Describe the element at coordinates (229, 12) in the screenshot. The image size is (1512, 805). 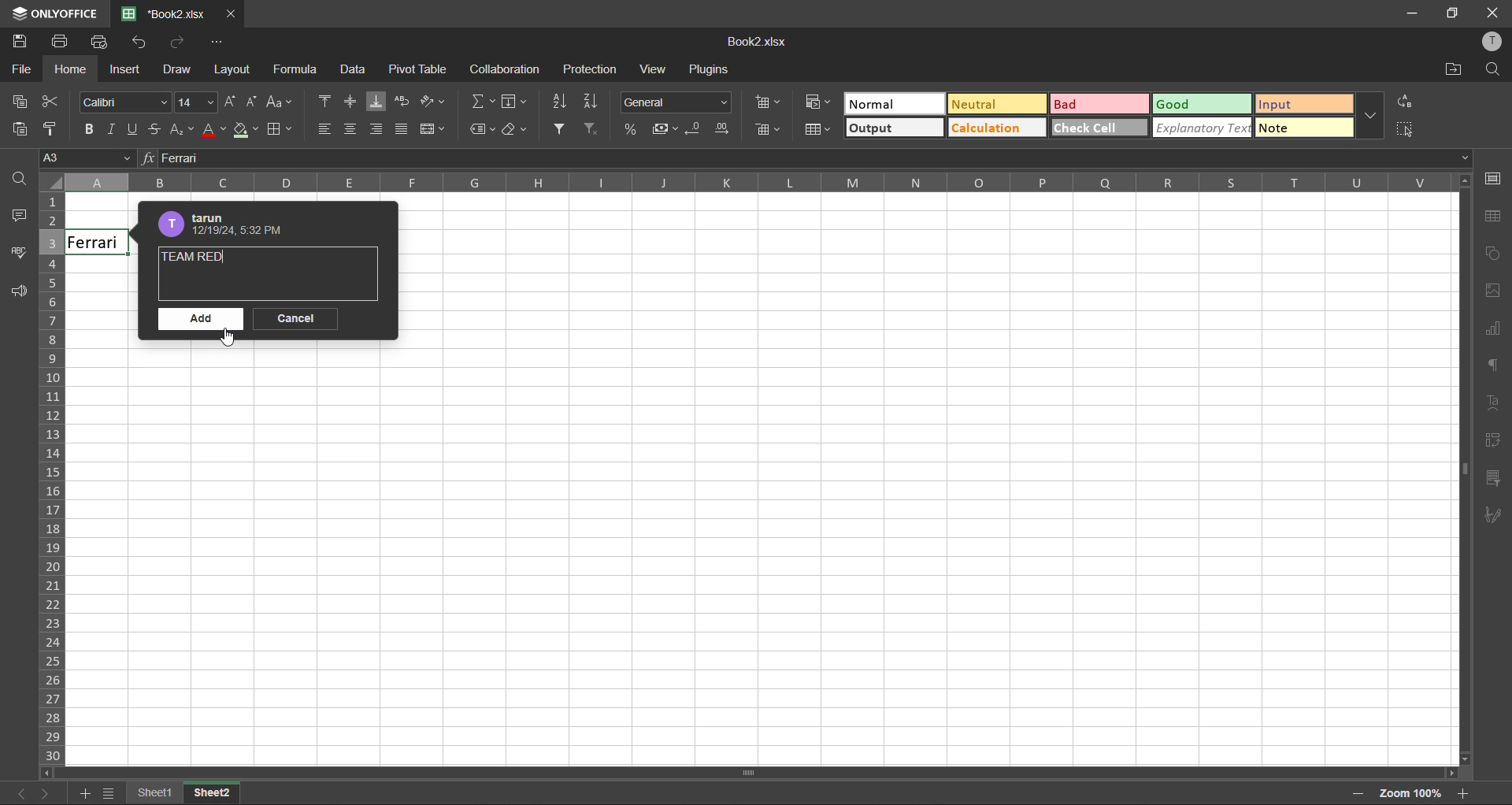
I see `close tab` at that location.